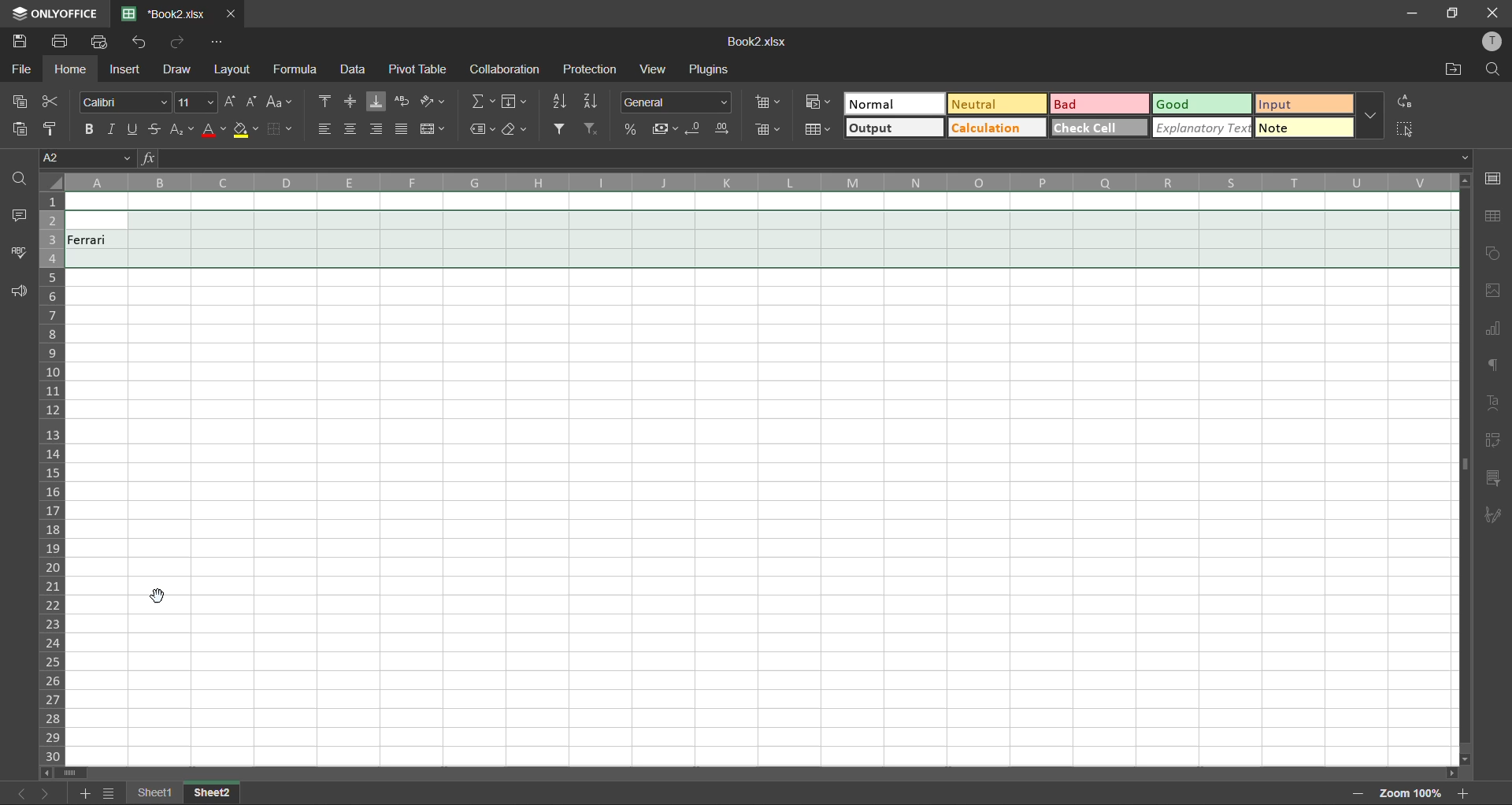 The width and height of the screenshot is (1512, 805). Describe the element at coordinates (51, 480) in the screenshot. I see `row numbers` at that location.